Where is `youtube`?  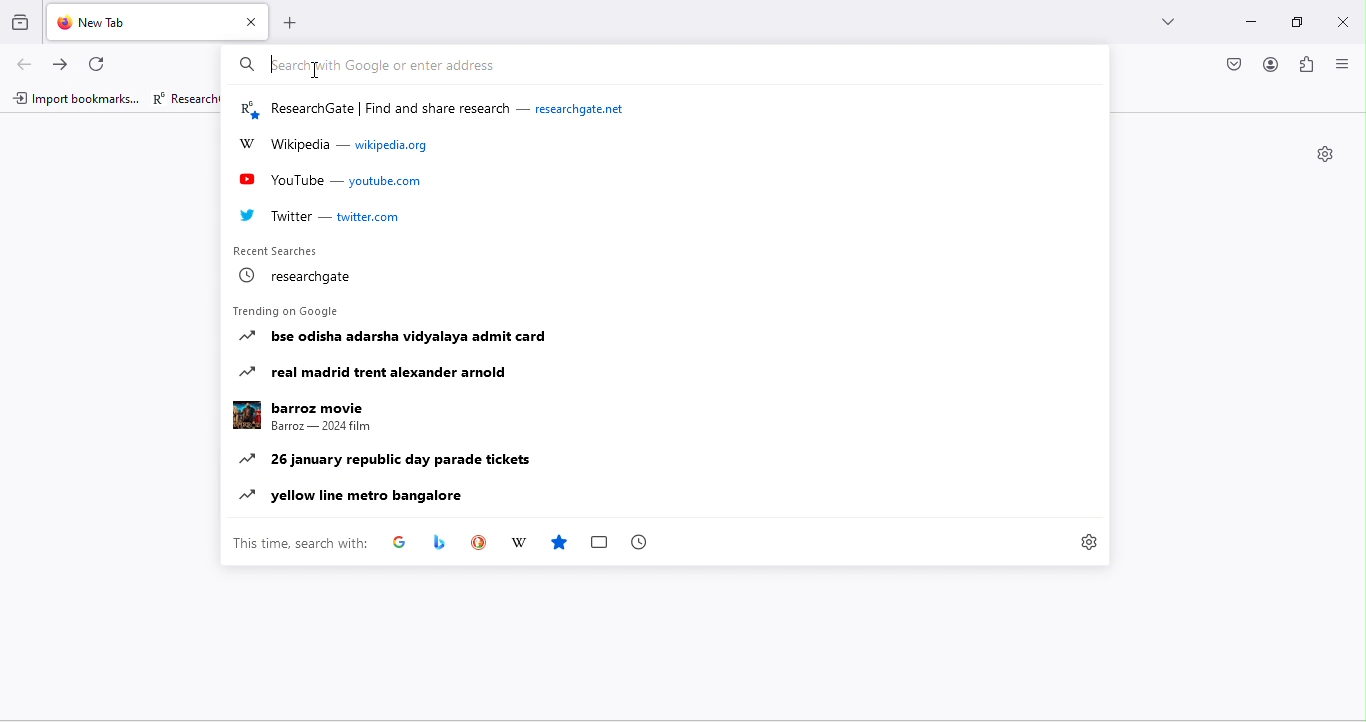 youtube is located at coordinates (333, 184).